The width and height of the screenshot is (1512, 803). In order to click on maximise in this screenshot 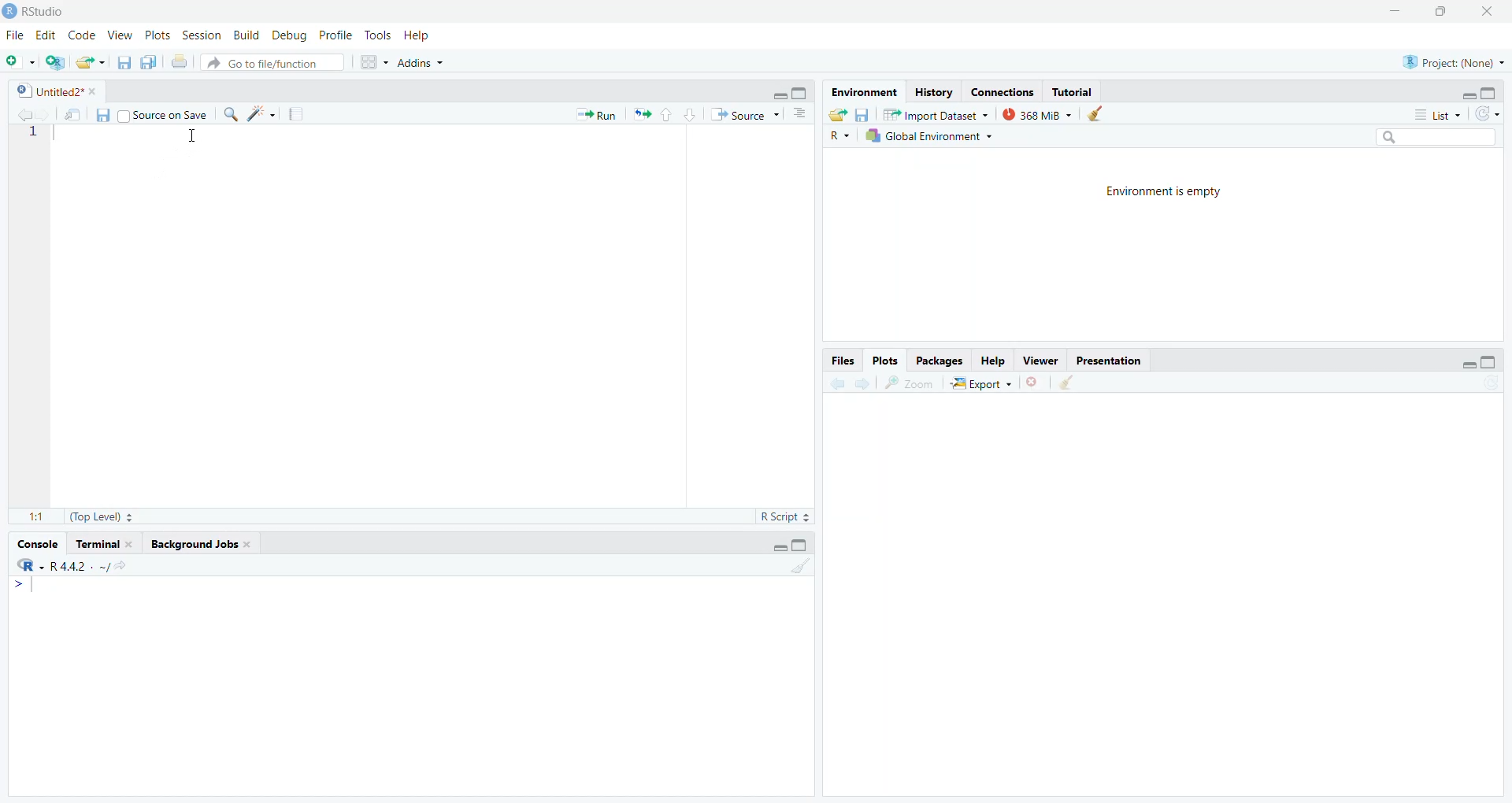, I will do `click(1492, 362)`.